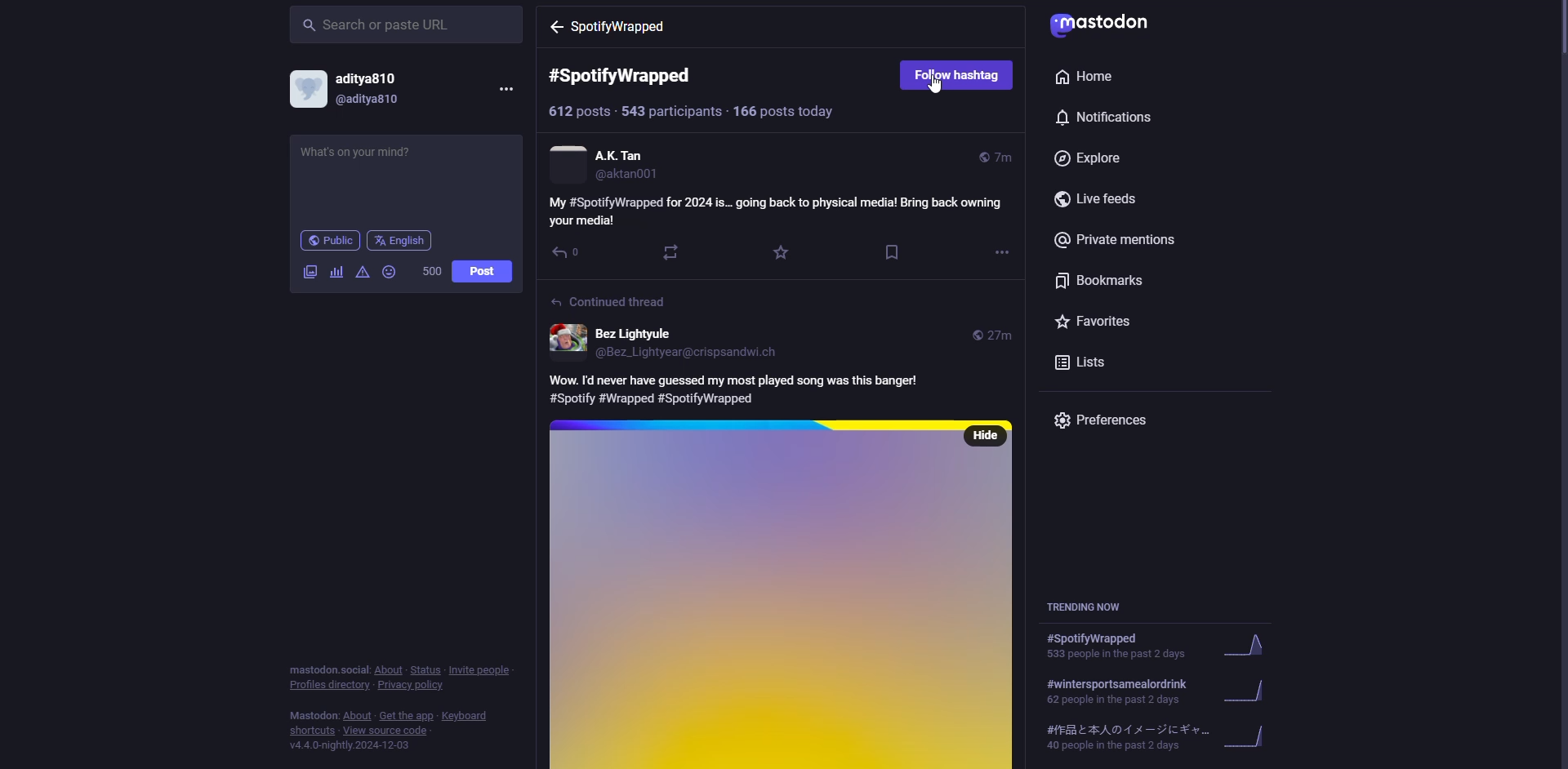 Image resolution: width=1568 pixels, height=769 pixels. Describe the element at coordinates (674, 253) in the screenshot. I see `boost` at that location.